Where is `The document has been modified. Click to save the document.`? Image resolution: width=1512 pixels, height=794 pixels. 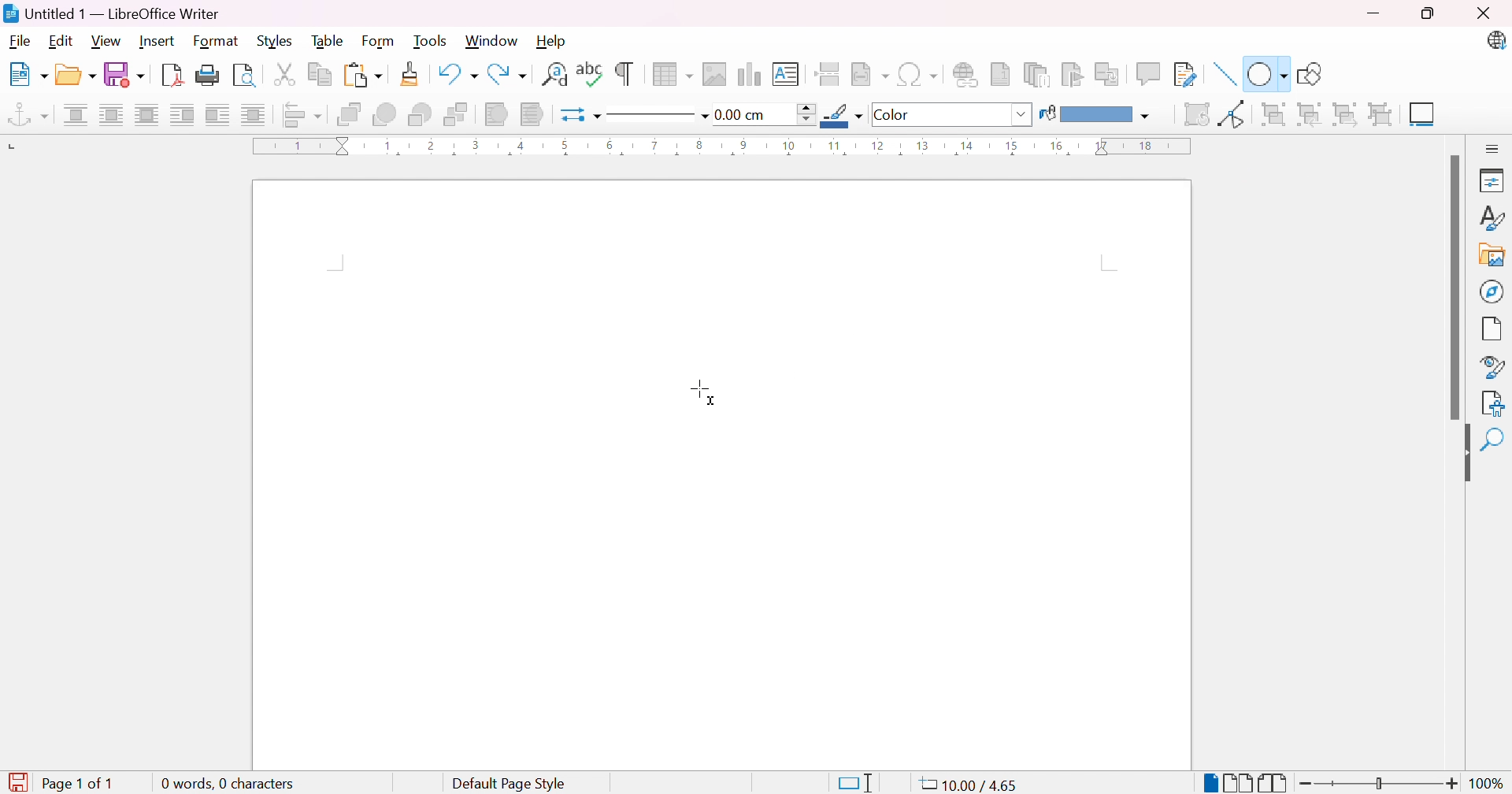
The document has been modified. Click to save the document. is located at coordinates (17, 783).